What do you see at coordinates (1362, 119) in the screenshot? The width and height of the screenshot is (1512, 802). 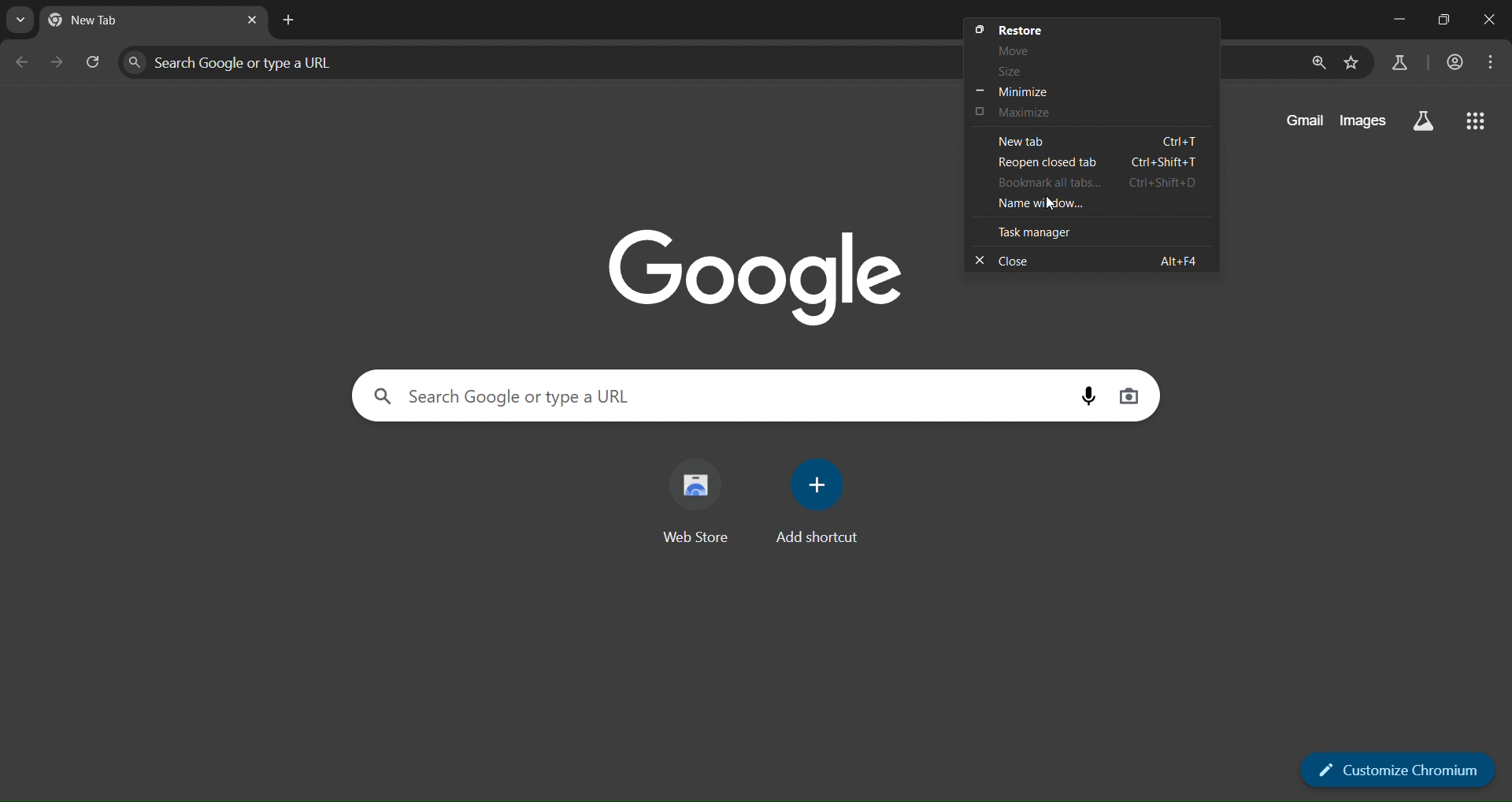 I see `images` at bounding box center [1362, 119].